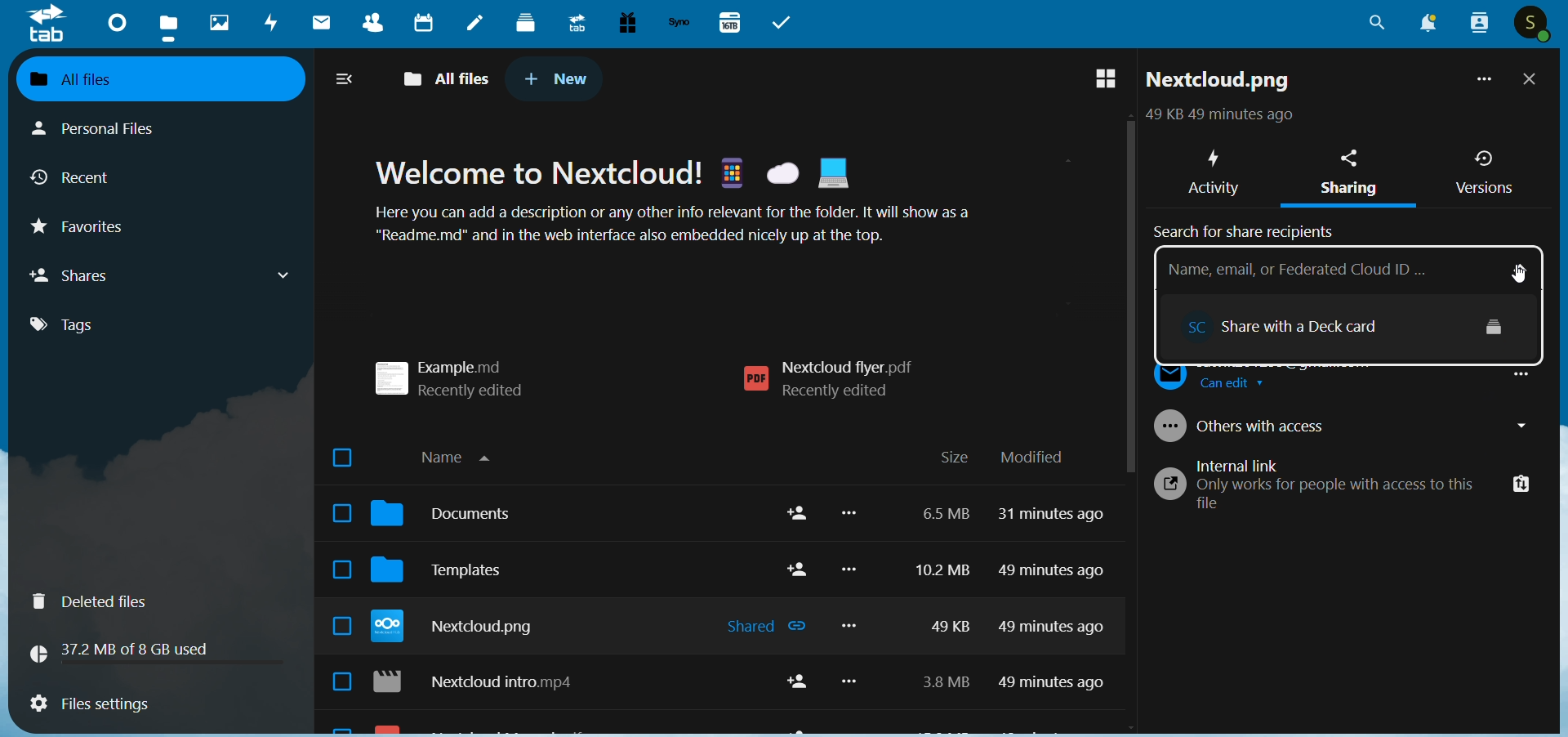  What do you see at coordinates (89, 706) in the screenshot?
I see `files setting` at bounding box center [89, 706].